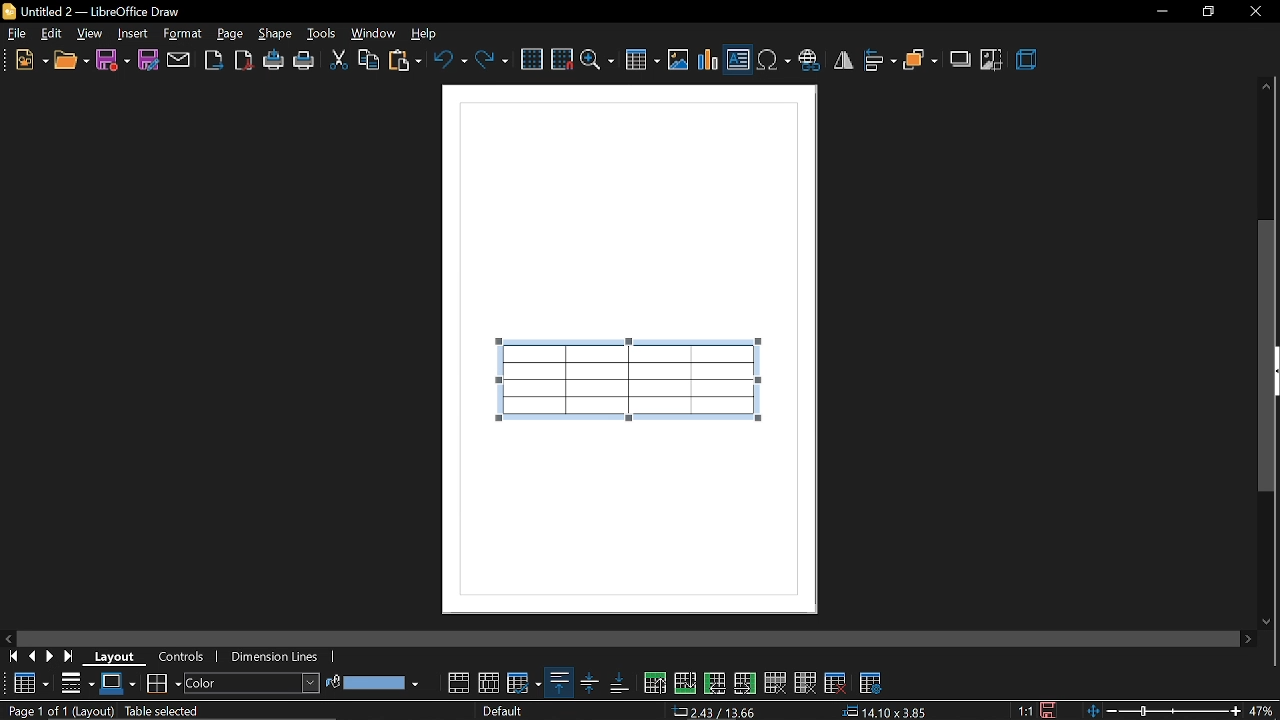 Image resolution: width=1280 pixels, height=720 pixels. I want to click on grid, so click(533, 60).